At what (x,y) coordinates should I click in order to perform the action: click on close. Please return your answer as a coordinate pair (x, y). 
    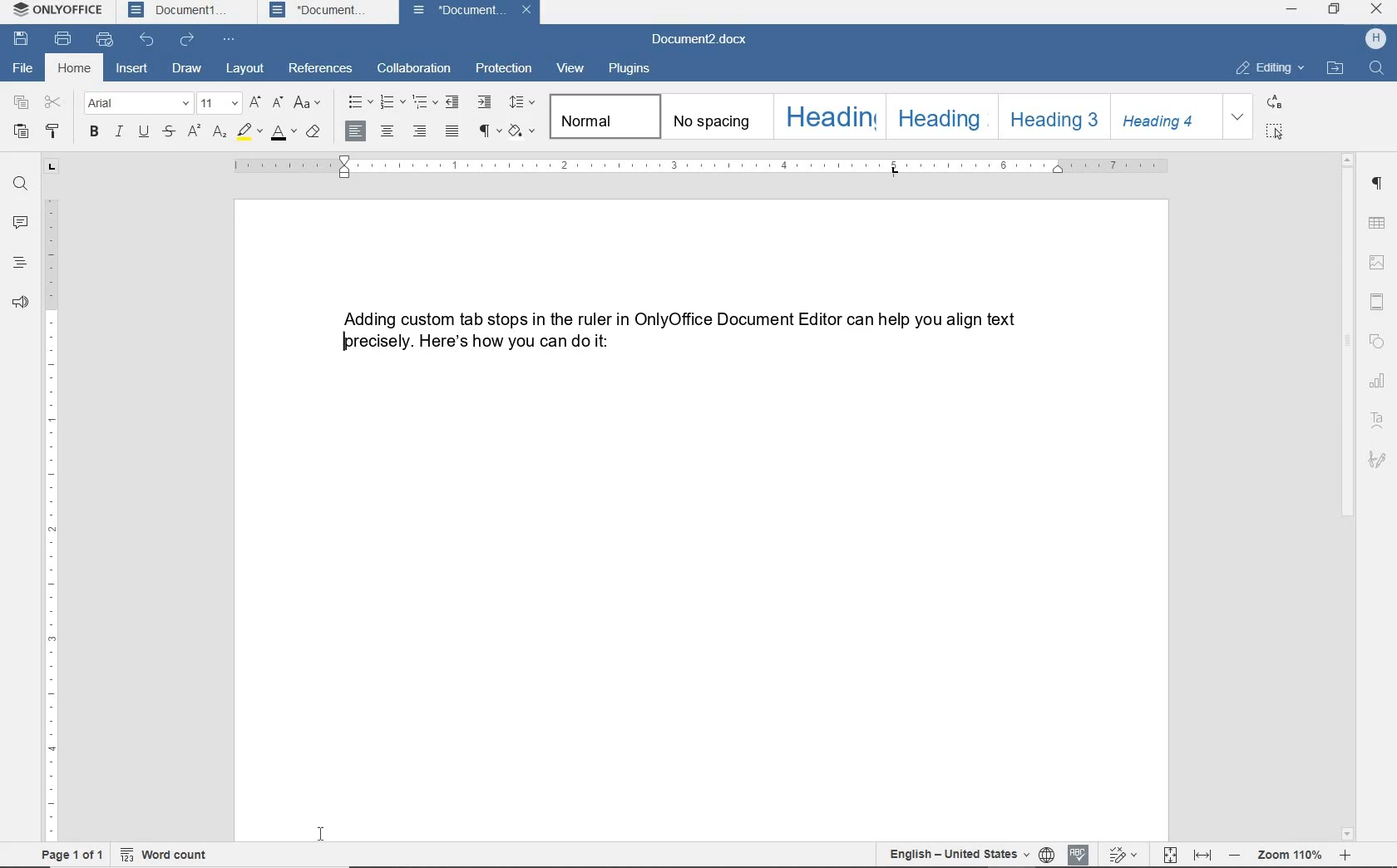
    Looking at the image, I should click on (528, 12).